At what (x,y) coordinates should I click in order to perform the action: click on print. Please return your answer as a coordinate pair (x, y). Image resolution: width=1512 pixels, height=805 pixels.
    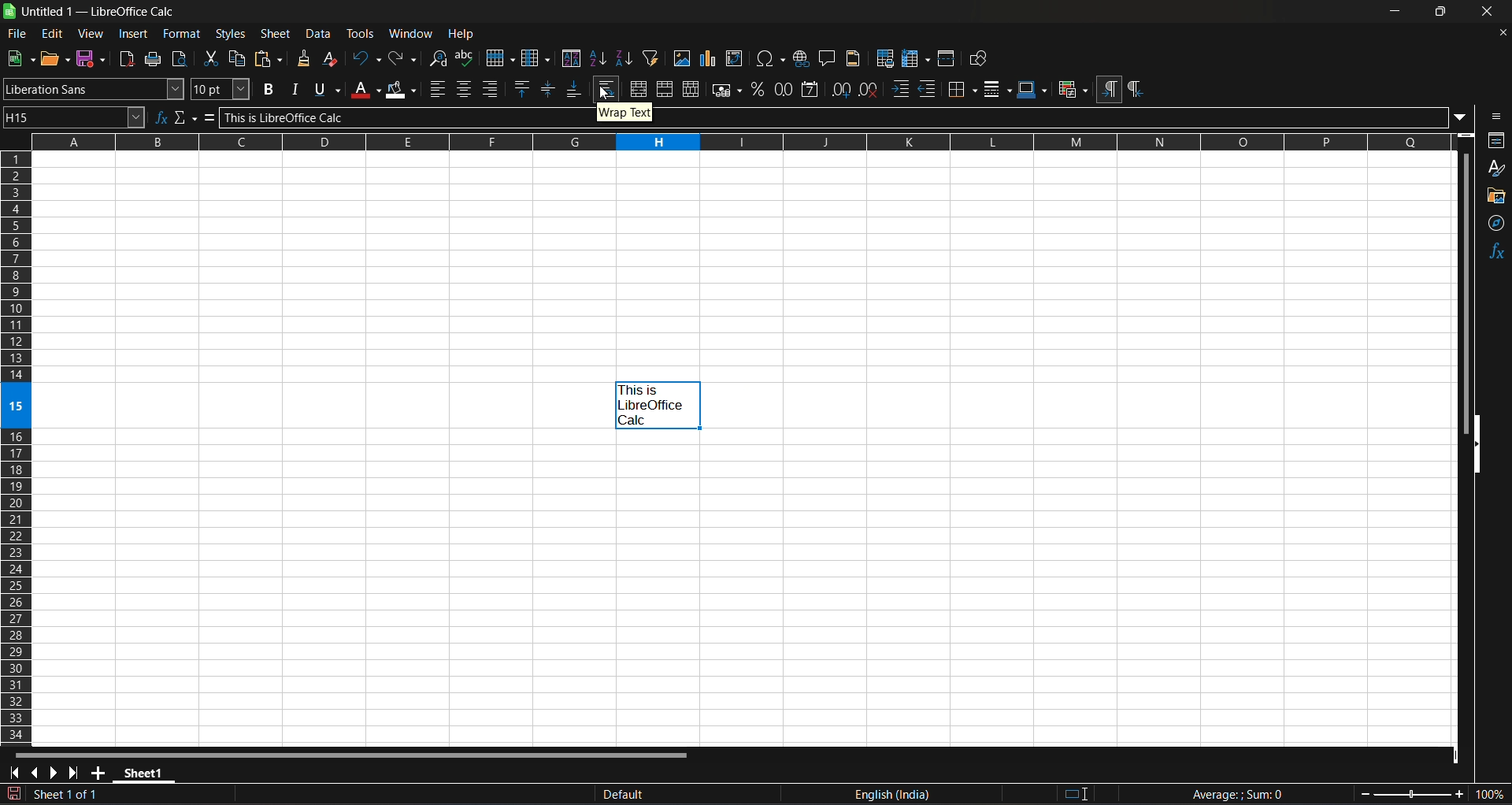
    Looking at the image, I should click on (152, 59).